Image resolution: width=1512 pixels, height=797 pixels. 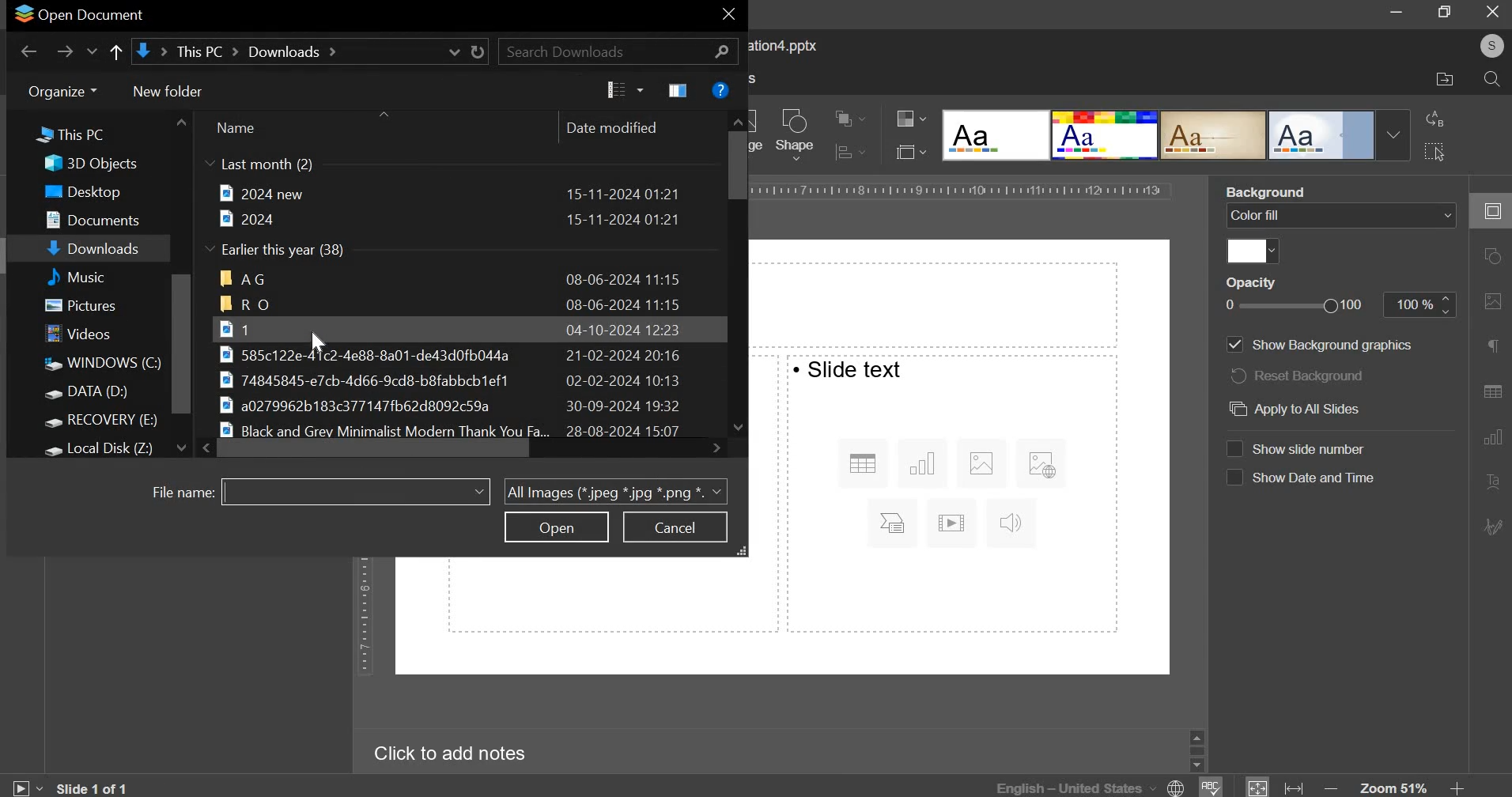 What do you see at coordinates (1302, 376) in the screenshot?
I see `reset background` at bounding box center [1302, 376].